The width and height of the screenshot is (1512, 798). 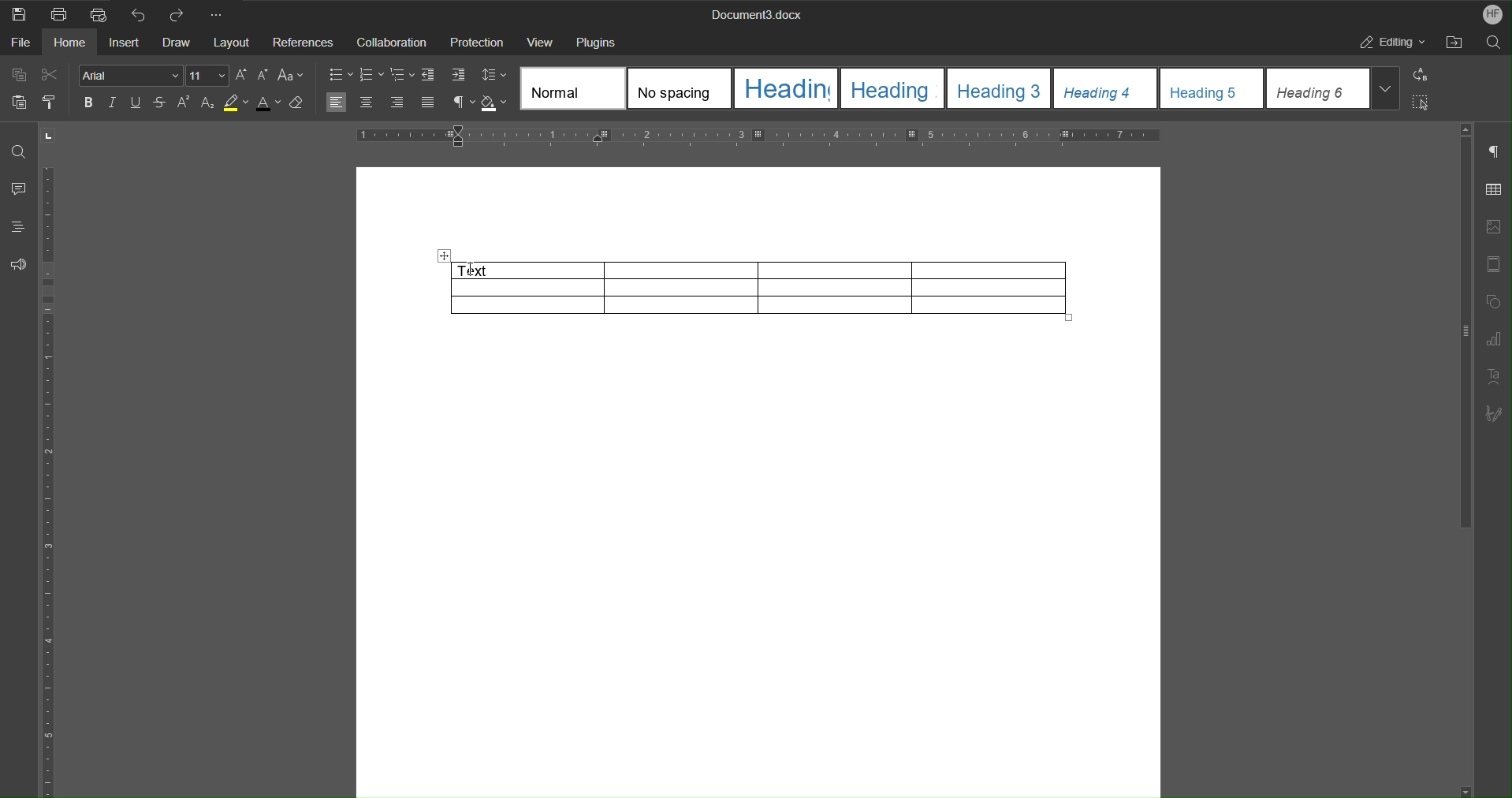 I want to click on Erase Style, so click(x=300, y=103).